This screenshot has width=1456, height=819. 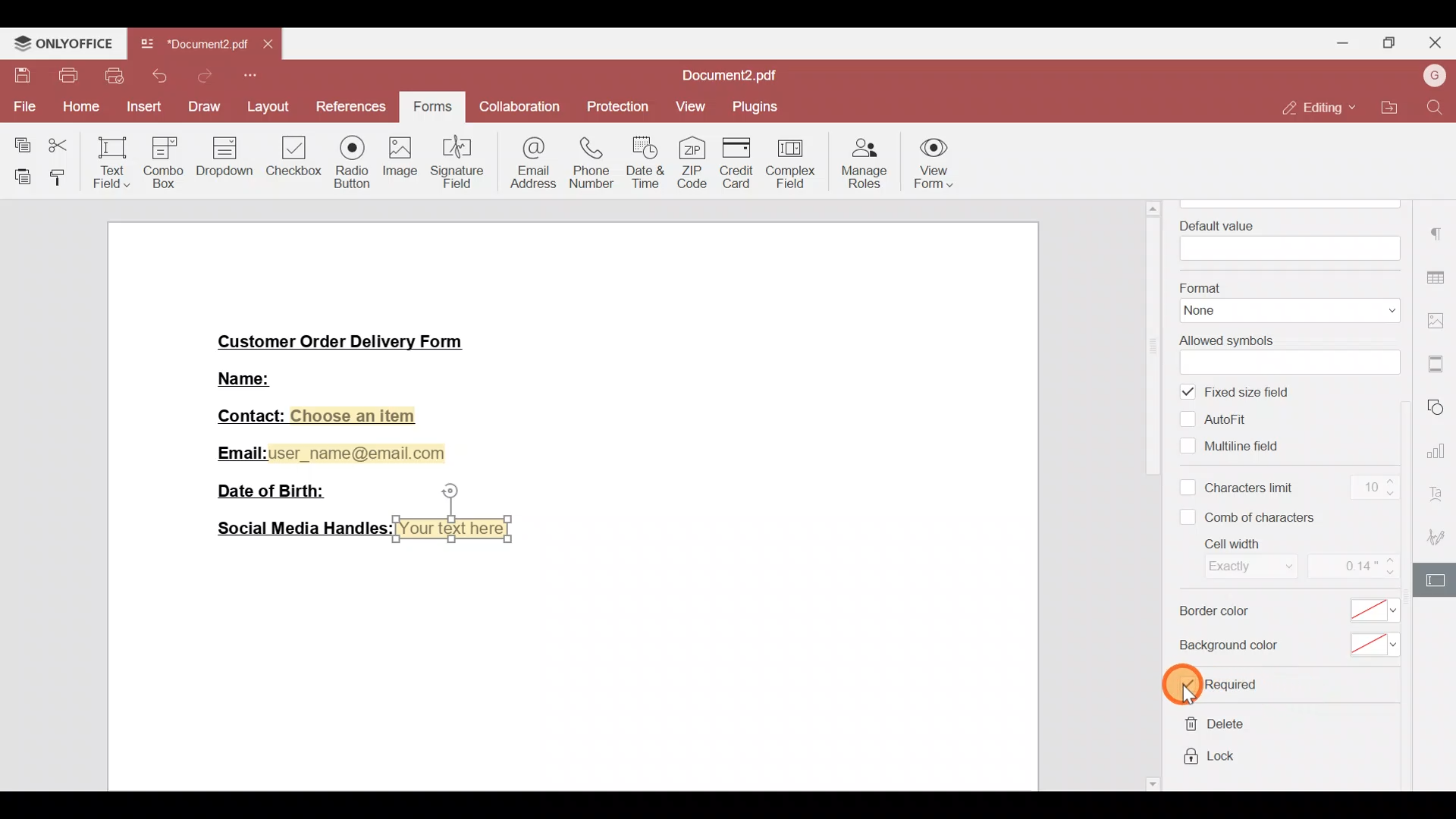 I want to click on Quick print, so click(x=116, y=76).